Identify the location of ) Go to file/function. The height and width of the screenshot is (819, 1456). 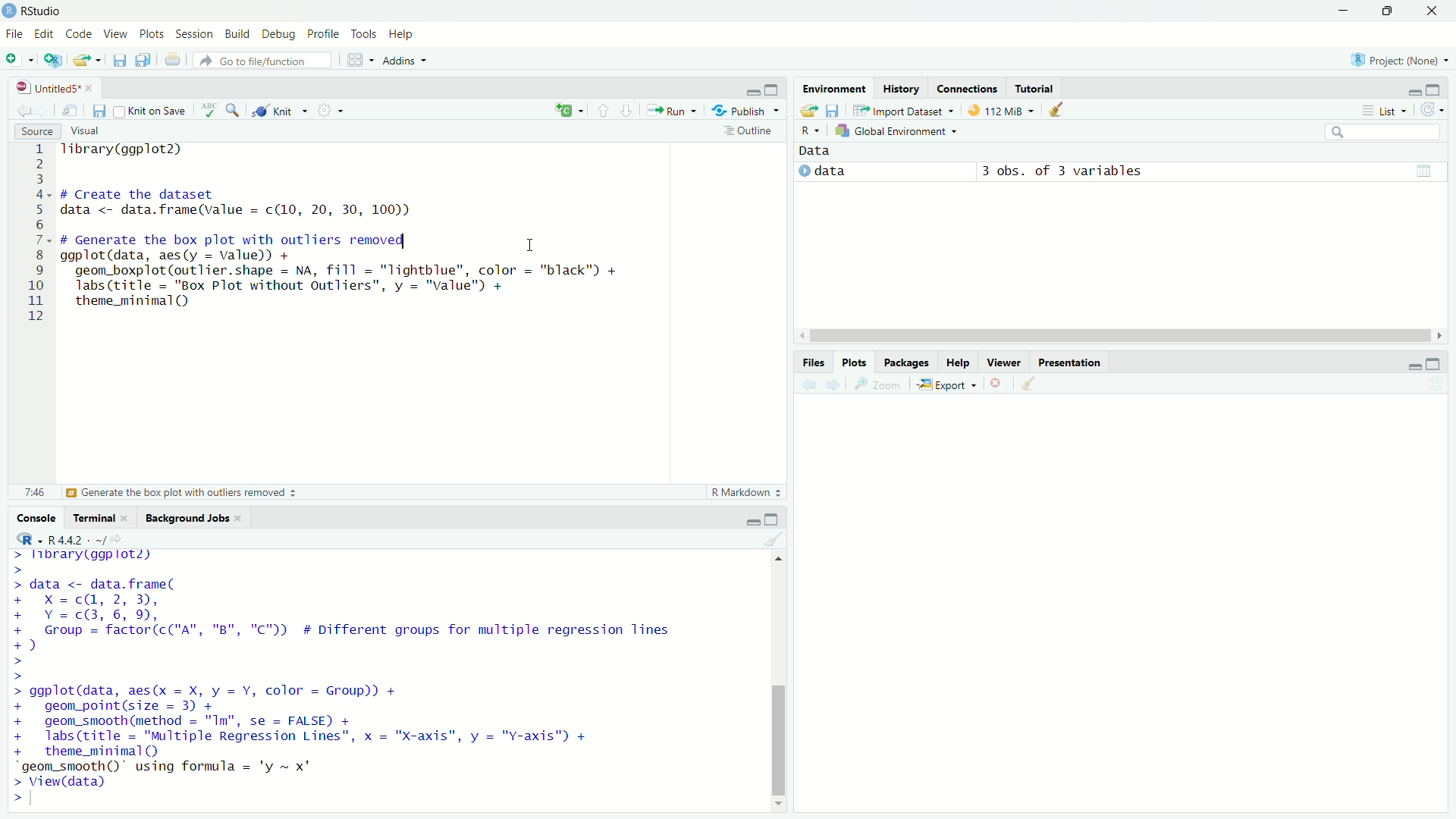
(259, 60).